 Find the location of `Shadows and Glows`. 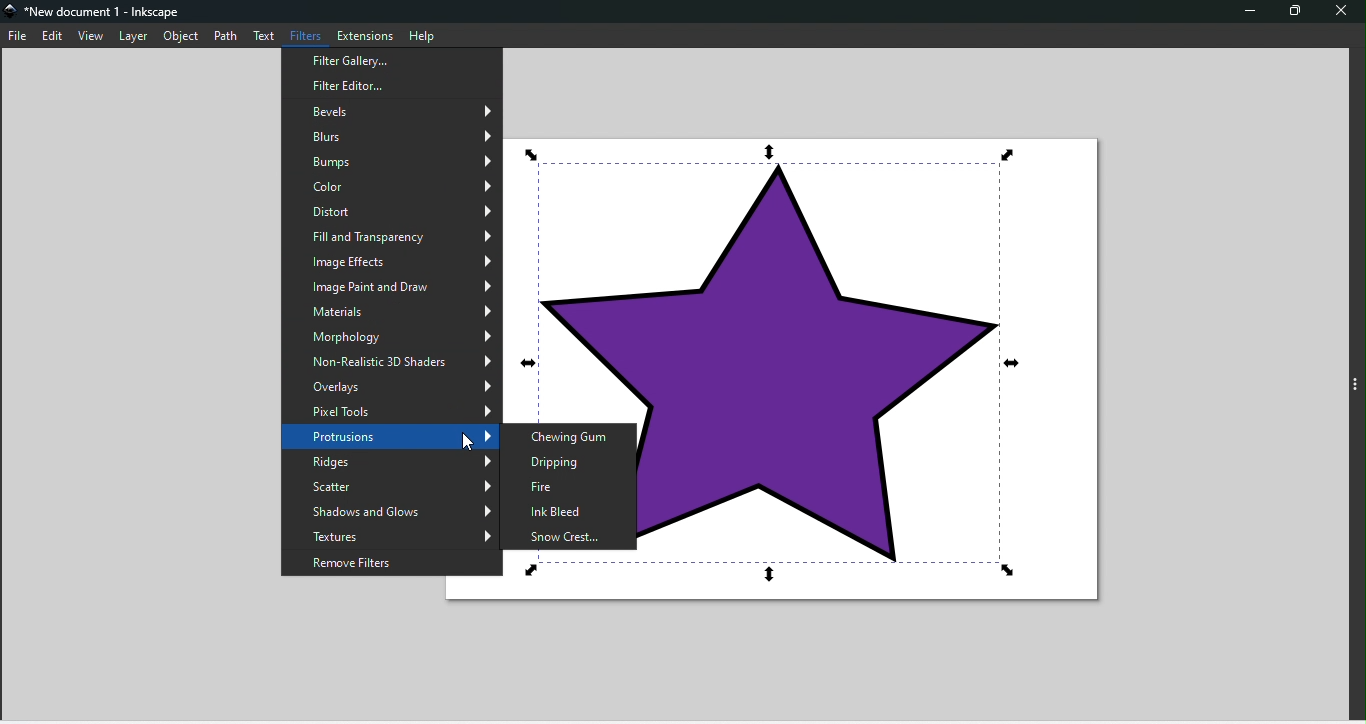

Shadows and Glows is located at coordinates (392, 511).